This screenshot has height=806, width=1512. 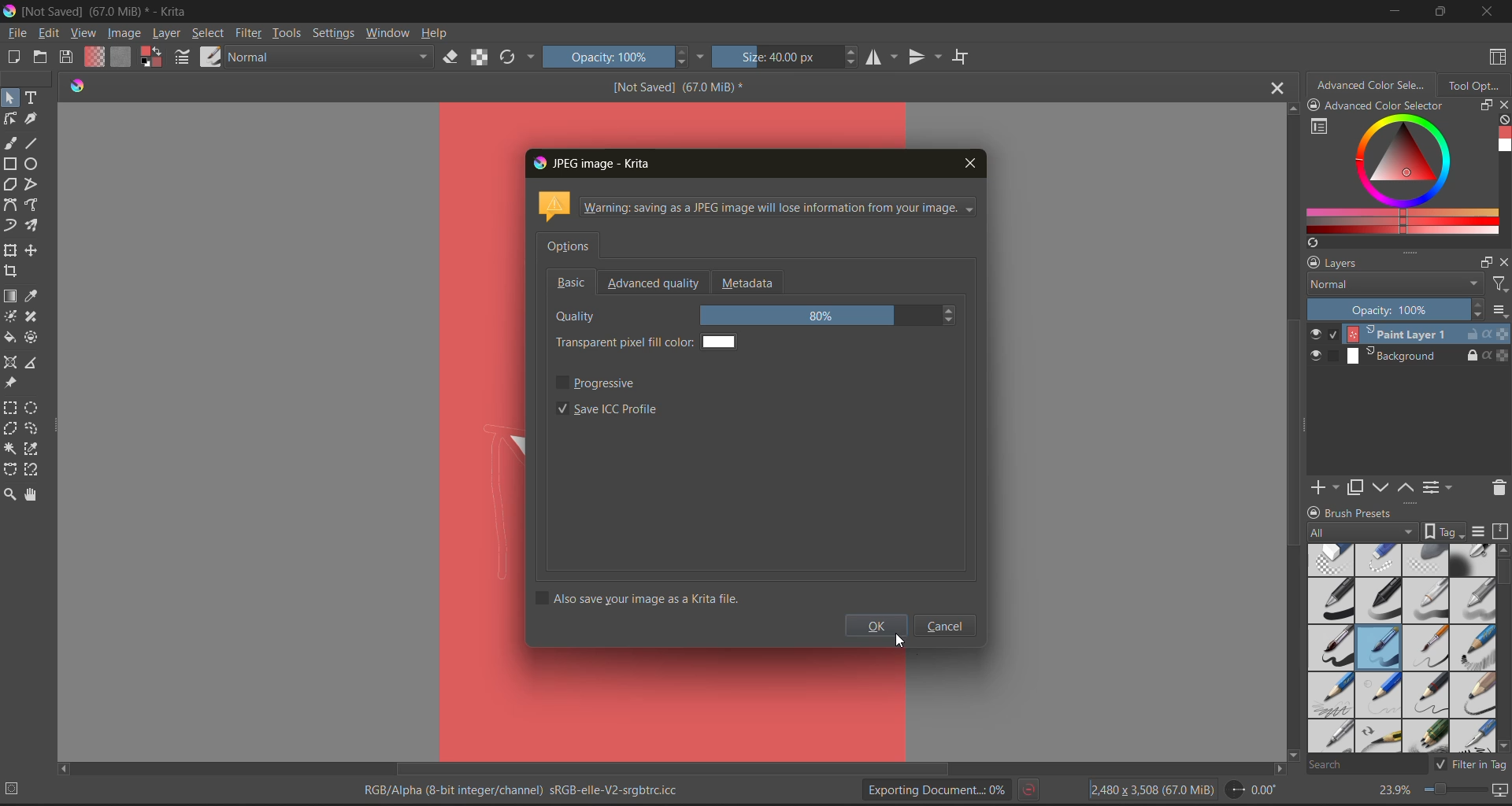 I want to click on open, so click(x=42, y=58).